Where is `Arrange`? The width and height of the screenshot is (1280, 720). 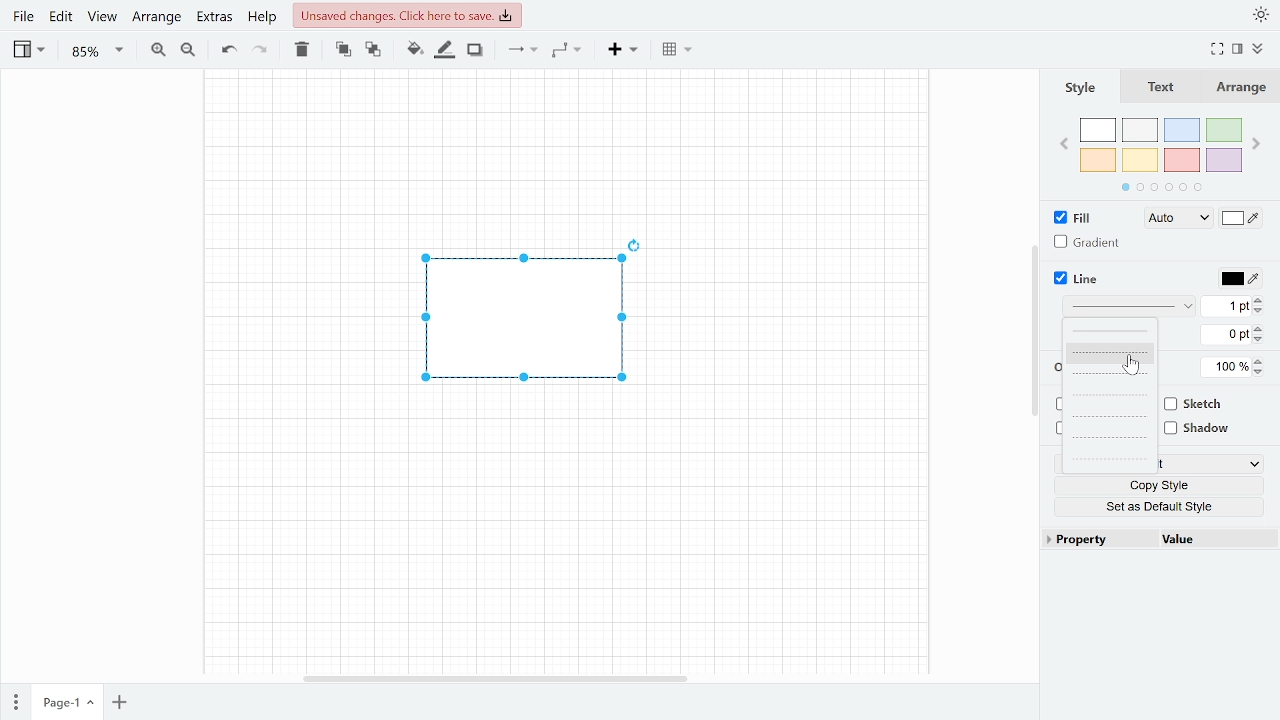 Arrange is located at coordinates (1243, 86).